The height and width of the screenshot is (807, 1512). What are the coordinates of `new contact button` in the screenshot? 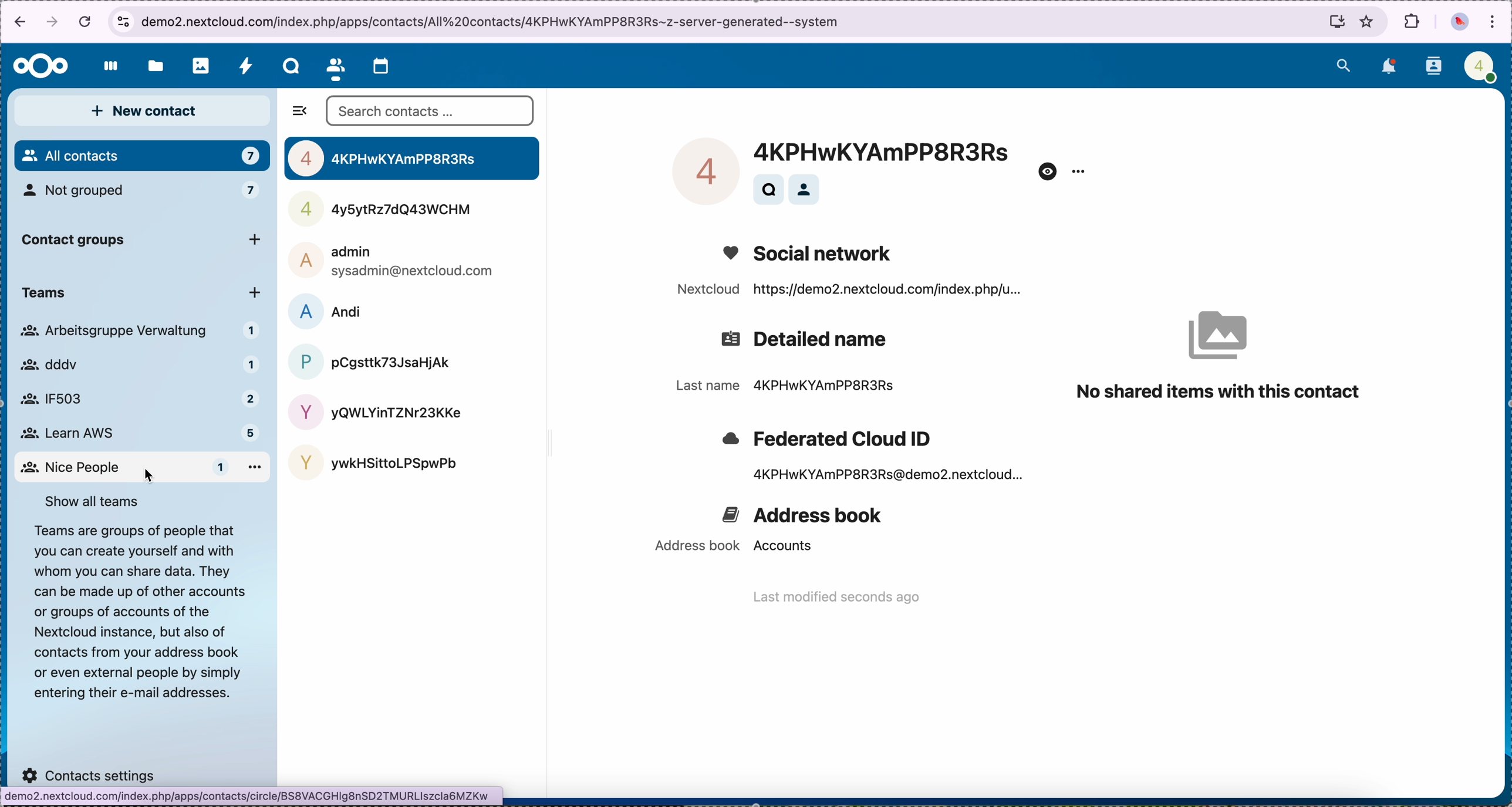 It's located at (143, 111).